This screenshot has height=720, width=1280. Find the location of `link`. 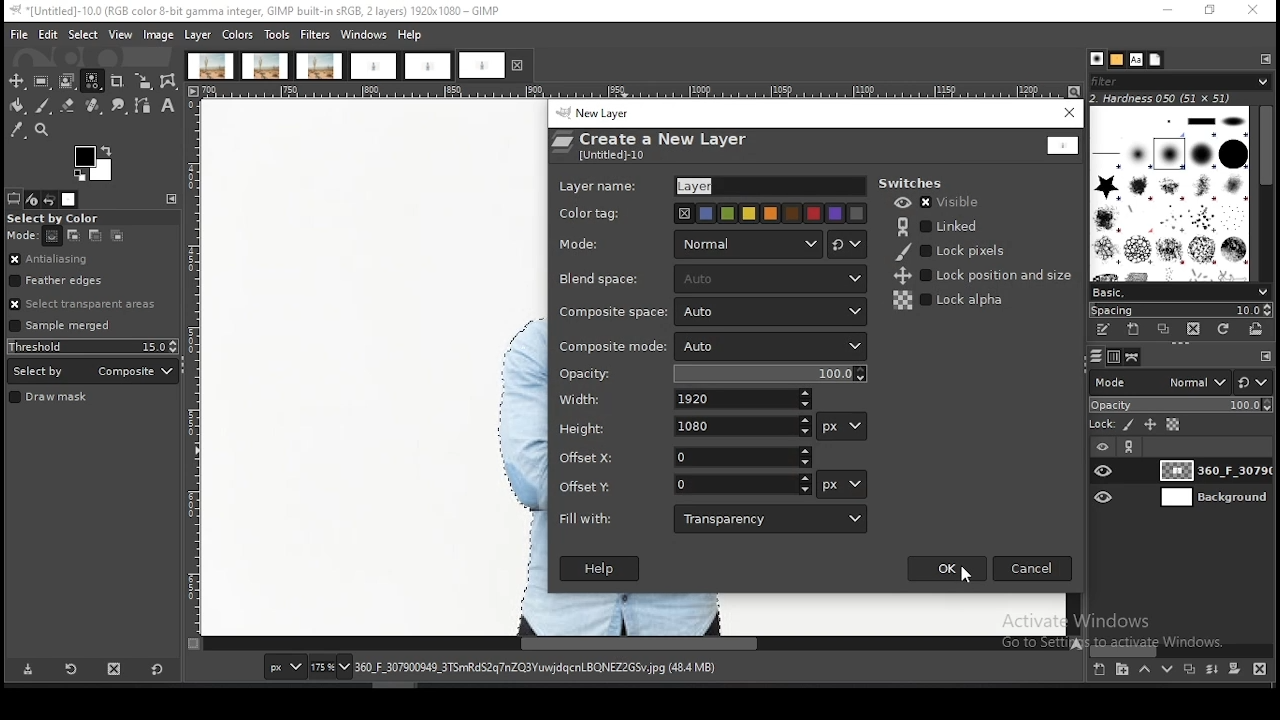

link is located at coordinates (1130, 447).